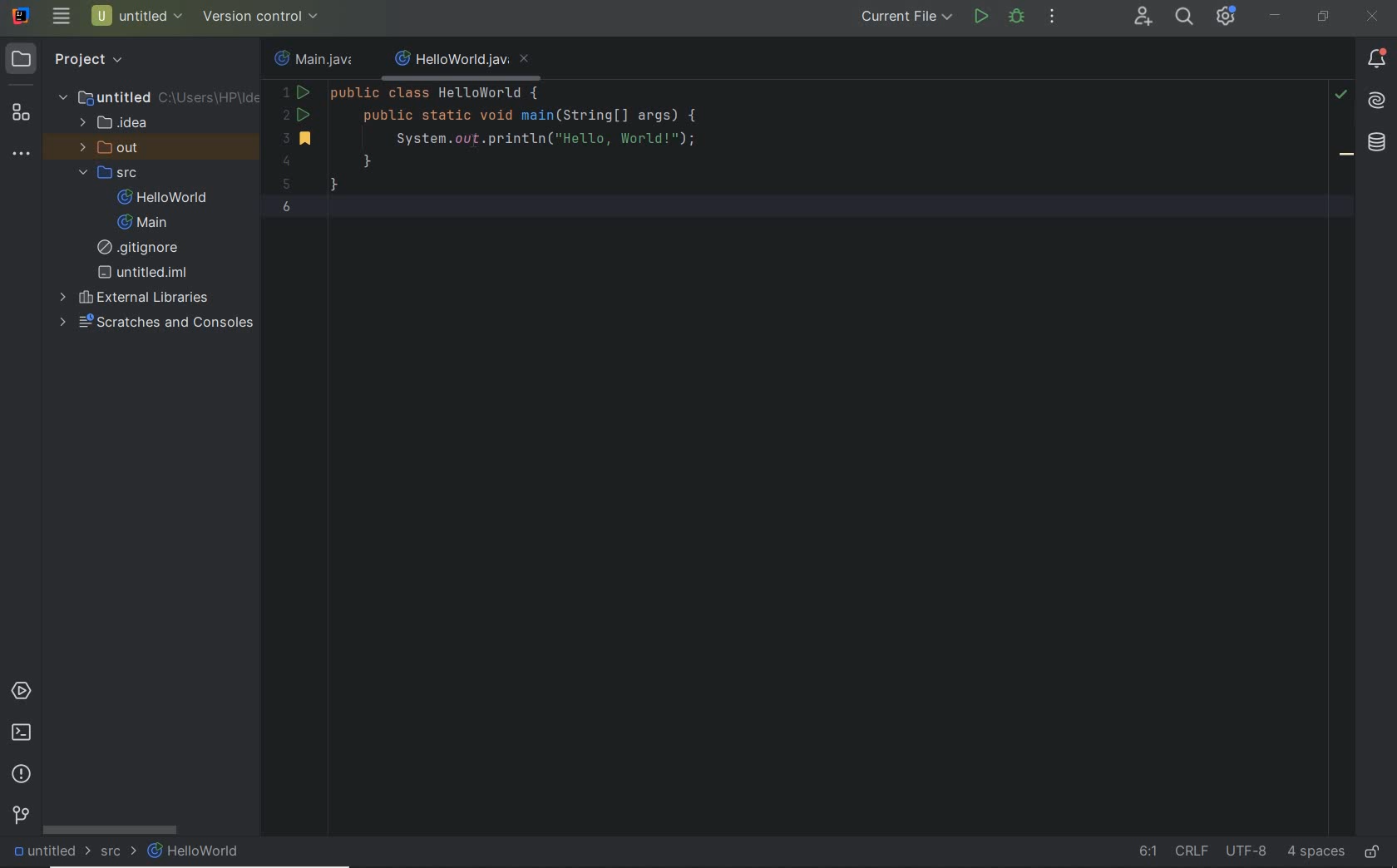 Image resolution: width=1397 pixels, height=868 pixels. I want to click on cursor, so click(491, 150).